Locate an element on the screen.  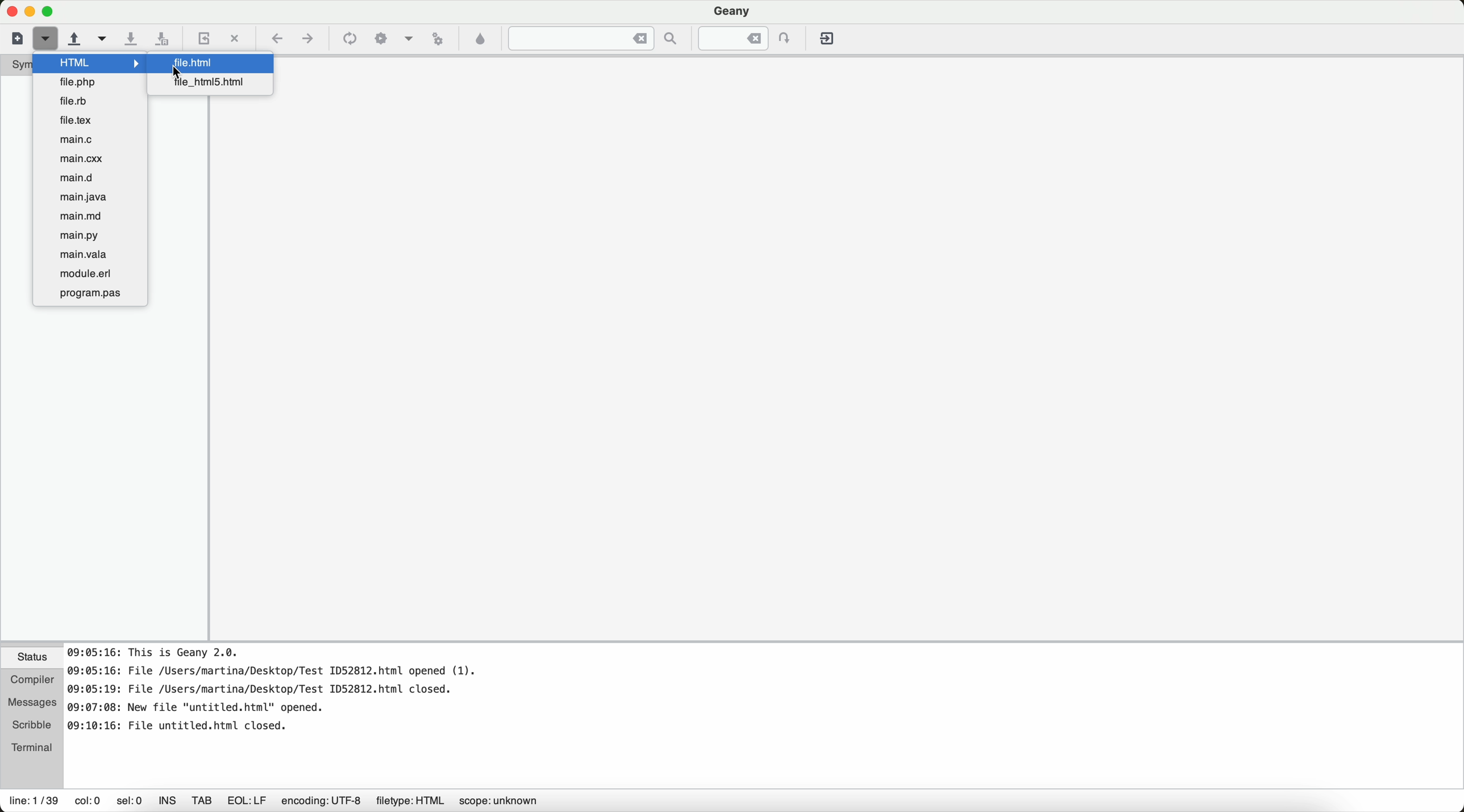
main.cxx is located at coordinates (90, 157).